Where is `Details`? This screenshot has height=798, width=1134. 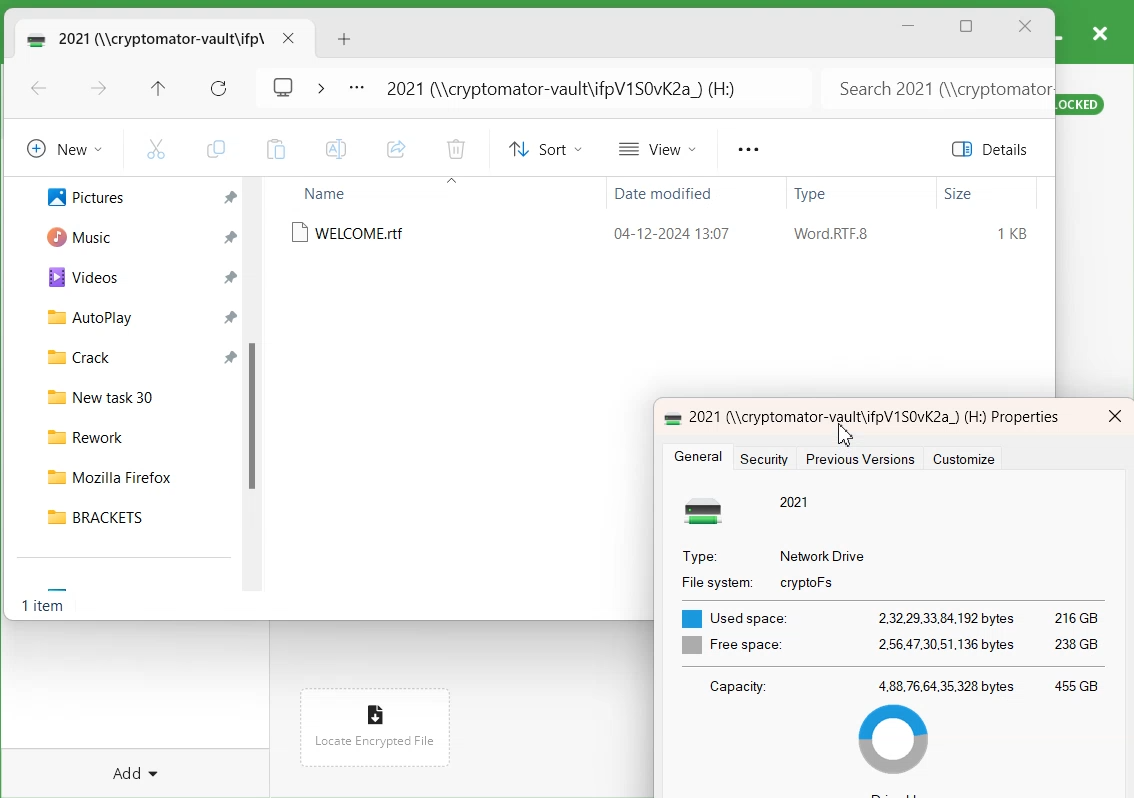
Details is located at coordinates (994, 149).